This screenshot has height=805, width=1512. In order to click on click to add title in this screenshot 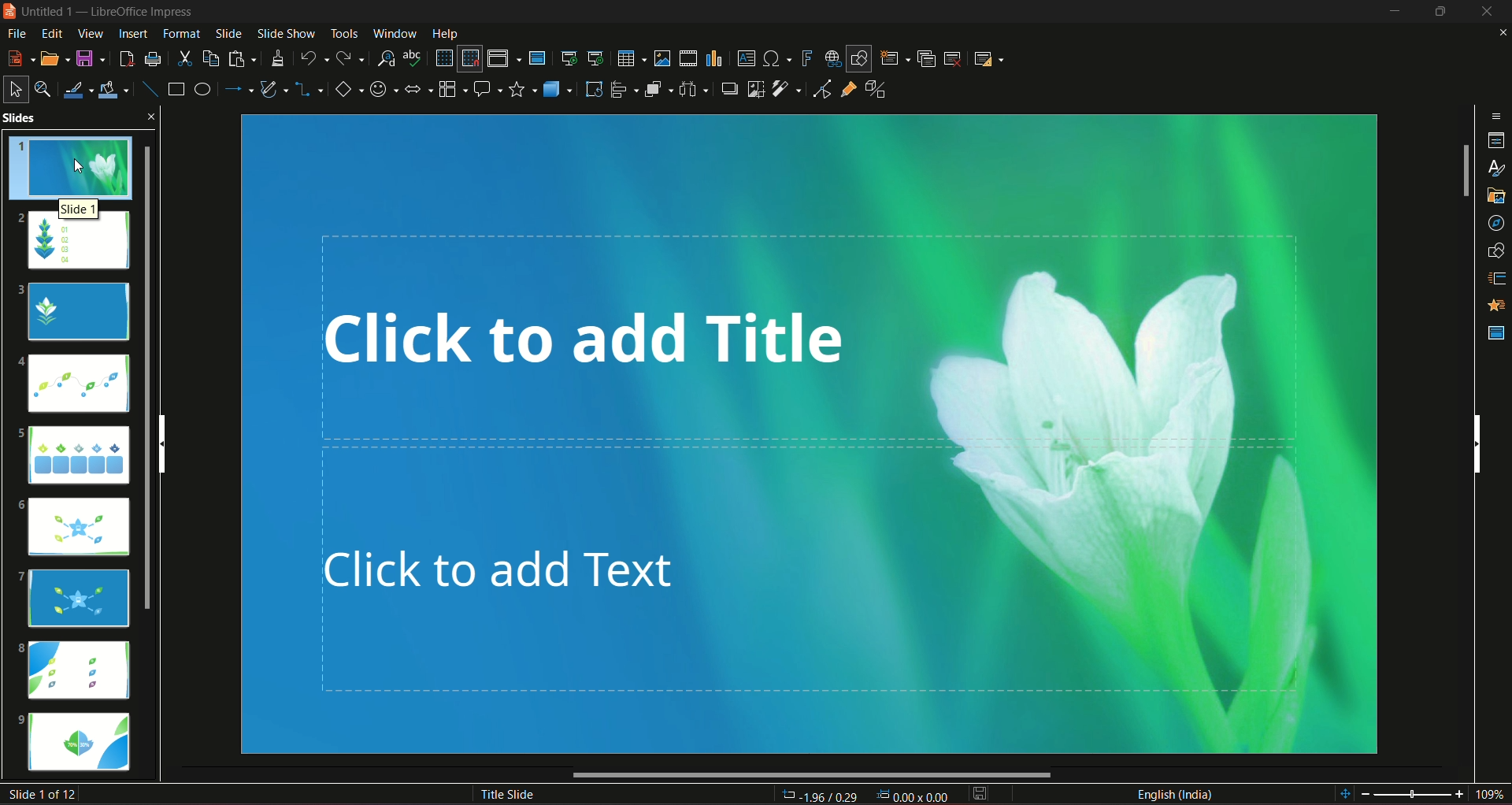, I will do `click(813, 334)`.